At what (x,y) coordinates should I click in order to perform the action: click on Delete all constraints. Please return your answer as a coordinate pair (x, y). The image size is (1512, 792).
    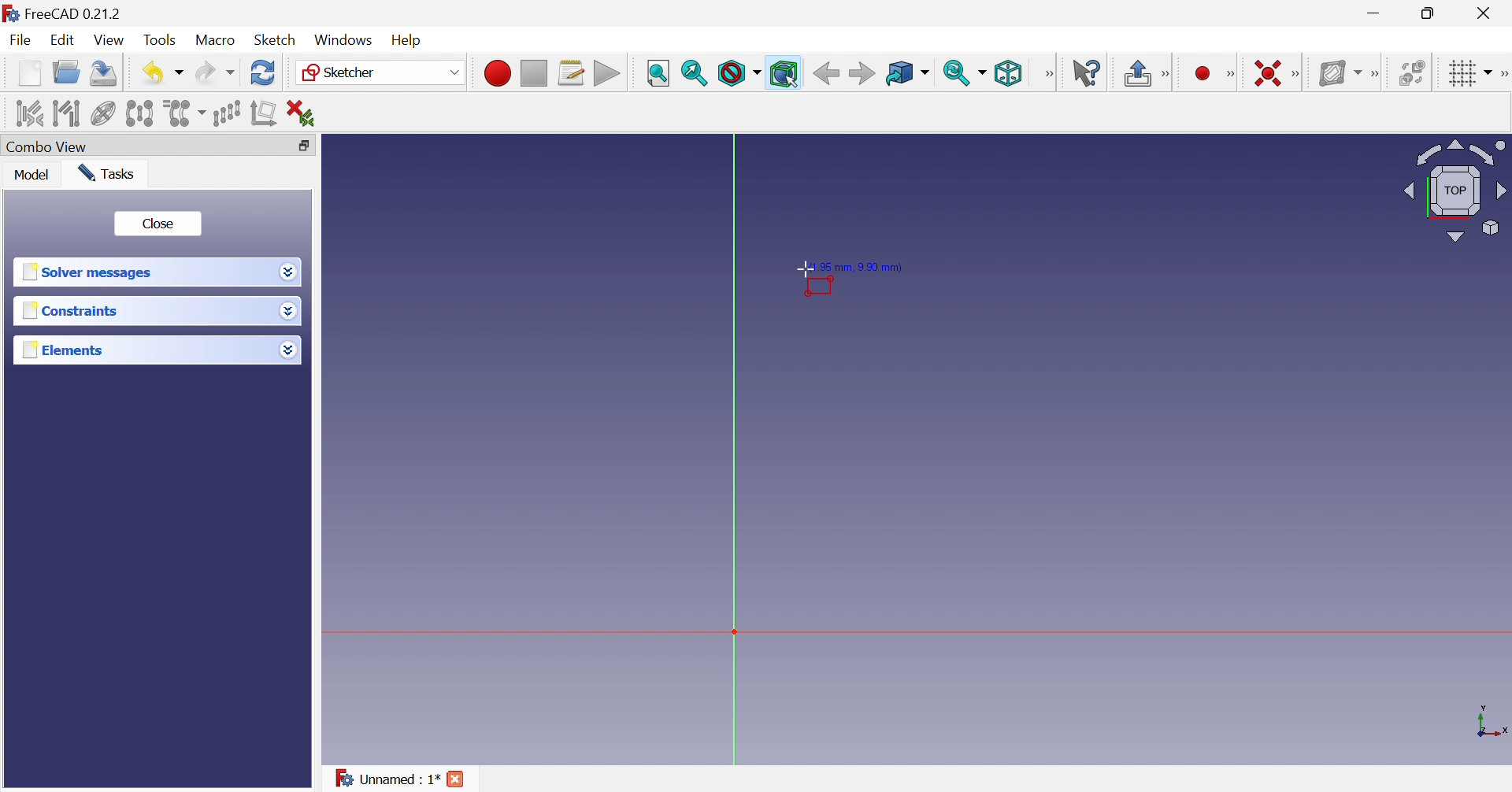
    Looking at the image, I should click on (301, 113).